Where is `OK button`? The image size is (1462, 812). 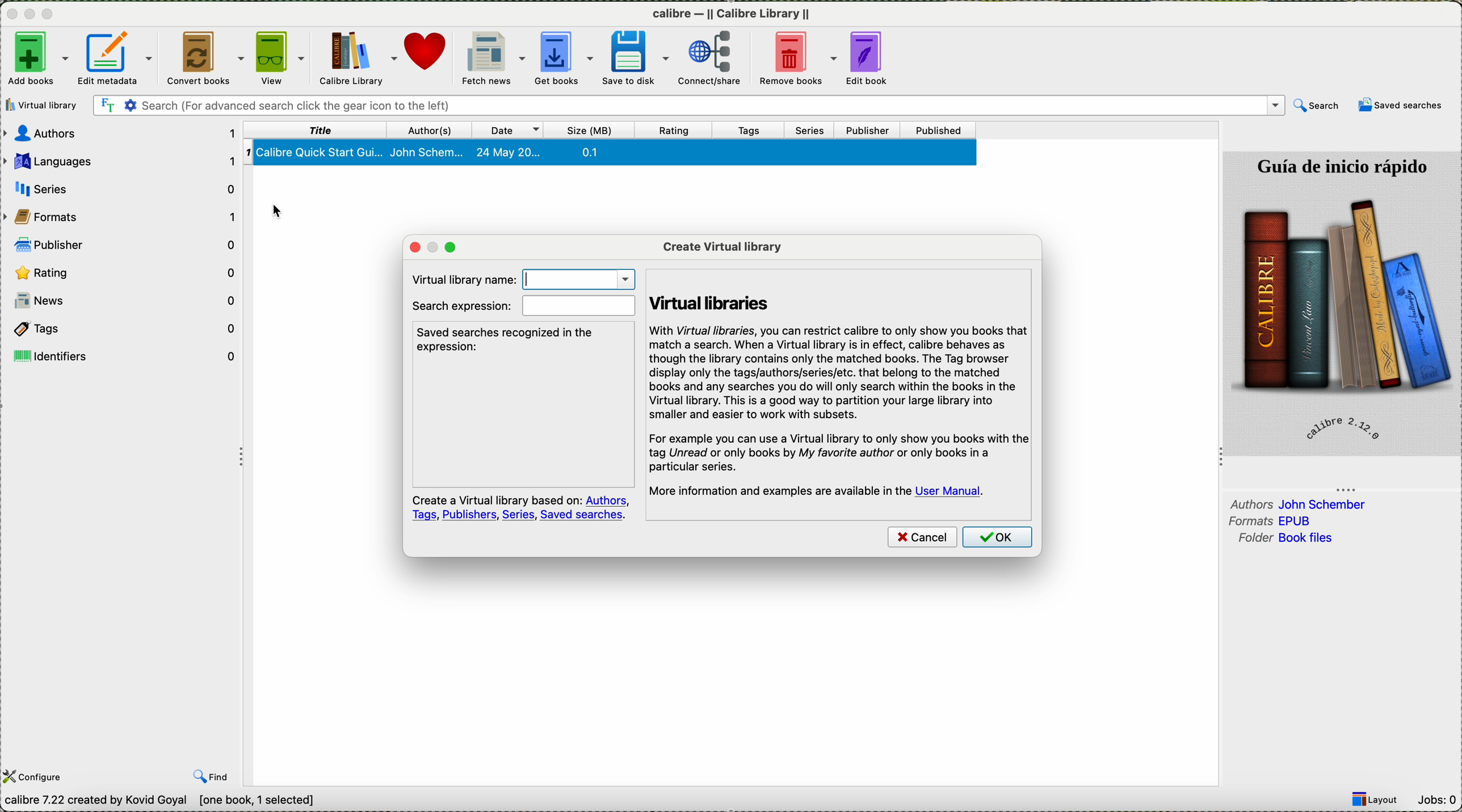 OK button is located at coordinates (999, 539).